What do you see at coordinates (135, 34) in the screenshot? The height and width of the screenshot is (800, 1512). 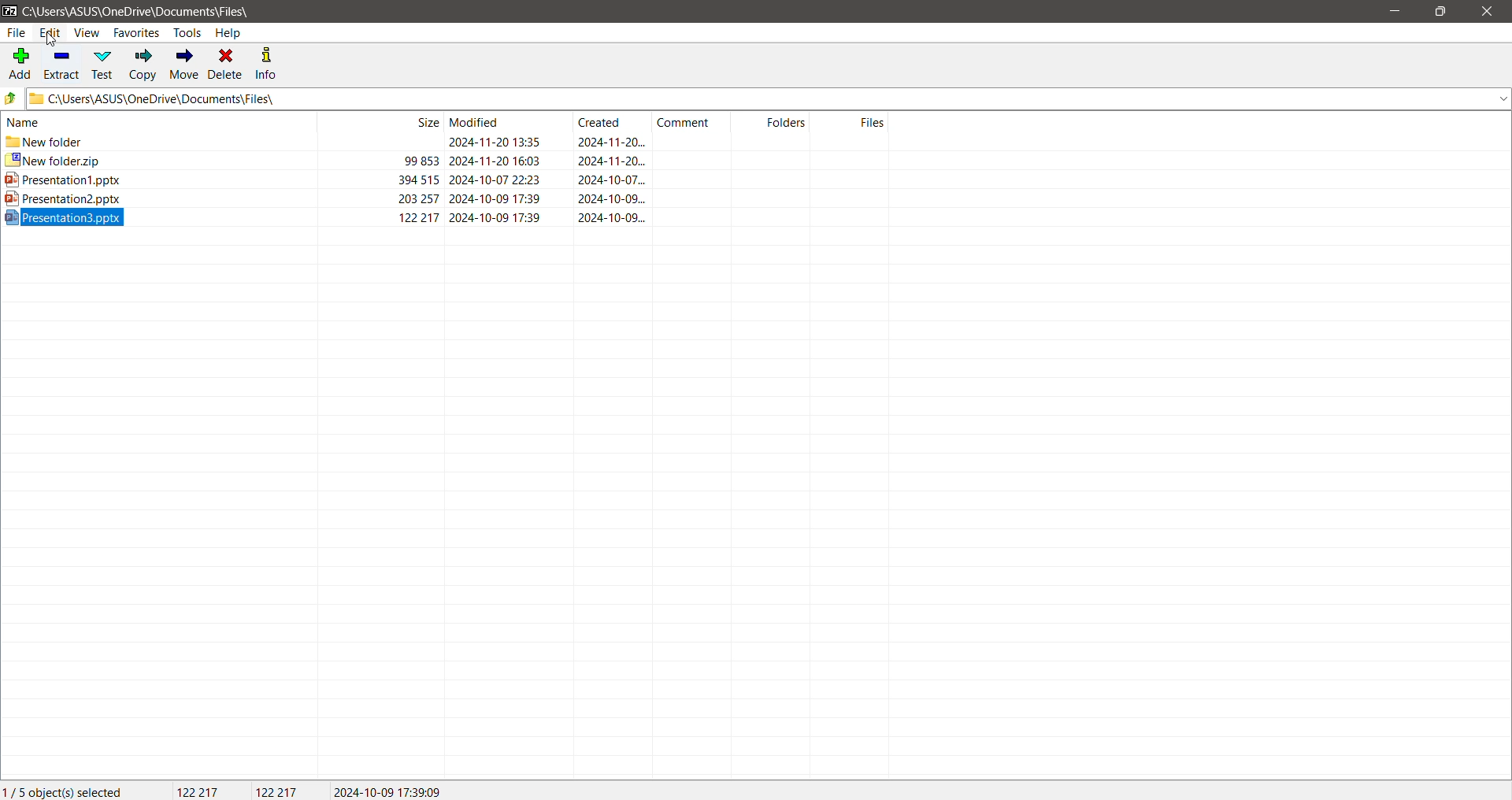 I see `Favorites` at bounding box center [135, 34].